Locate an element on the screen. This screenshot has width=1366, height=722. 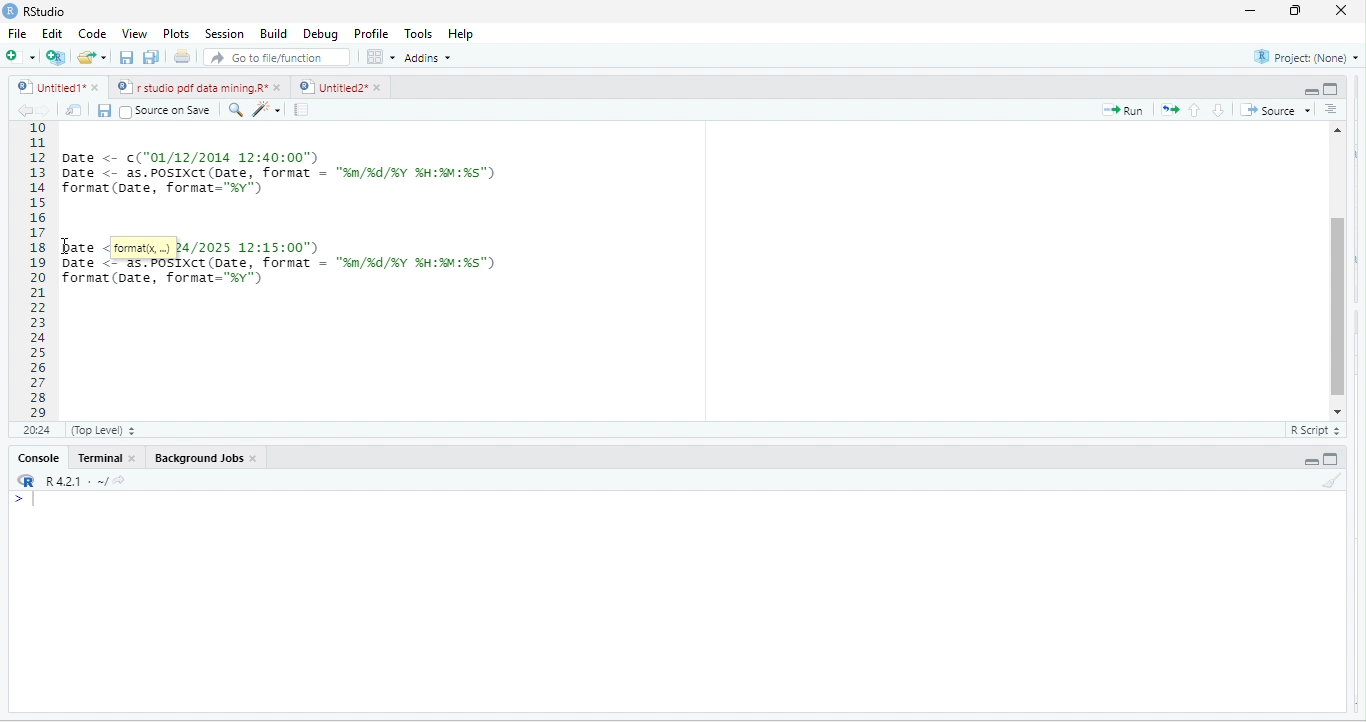
 Untitled2 is located at coordinates (332, 87).